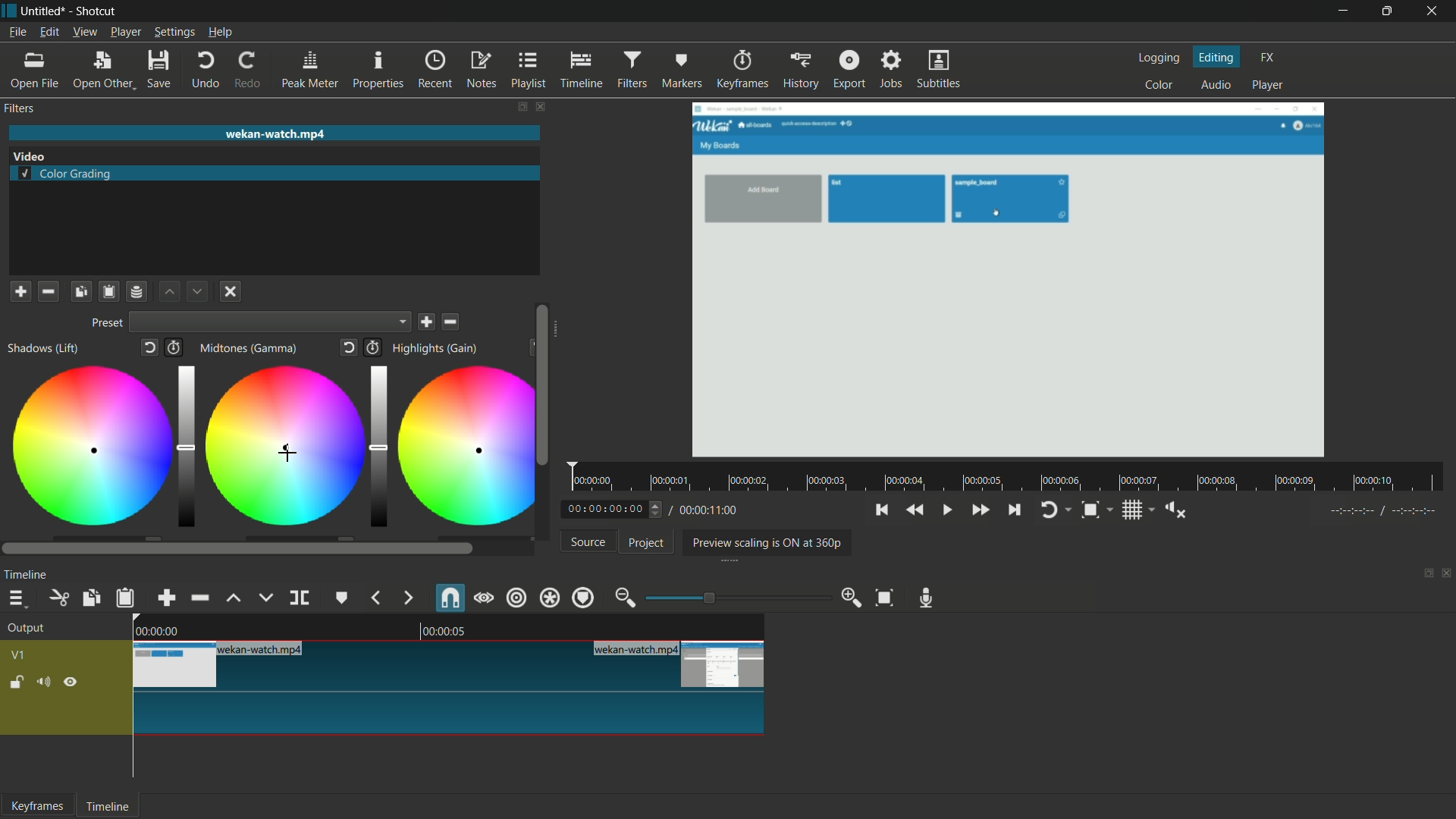  I want to click on zoom out, so click(624, 597).